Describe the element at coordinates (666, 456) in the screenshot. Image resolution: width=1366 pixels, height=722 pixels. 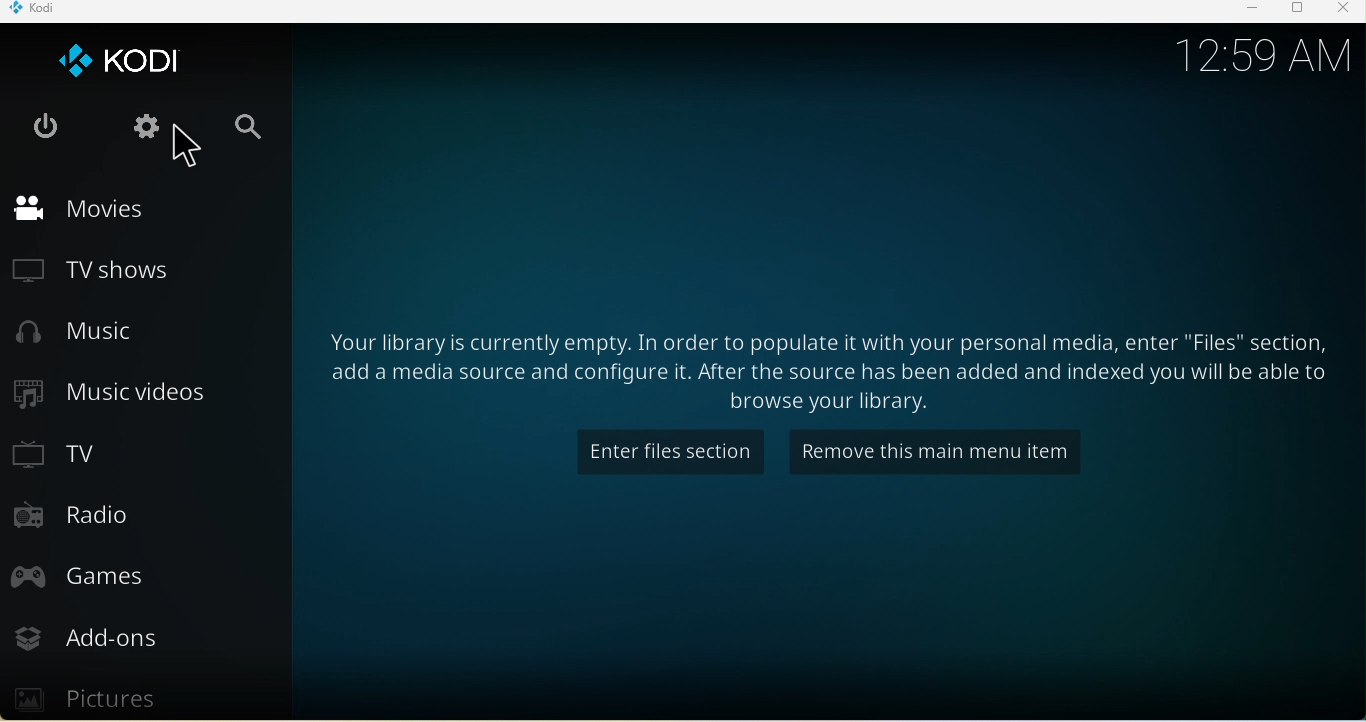
I see `Enter files section` at that location.